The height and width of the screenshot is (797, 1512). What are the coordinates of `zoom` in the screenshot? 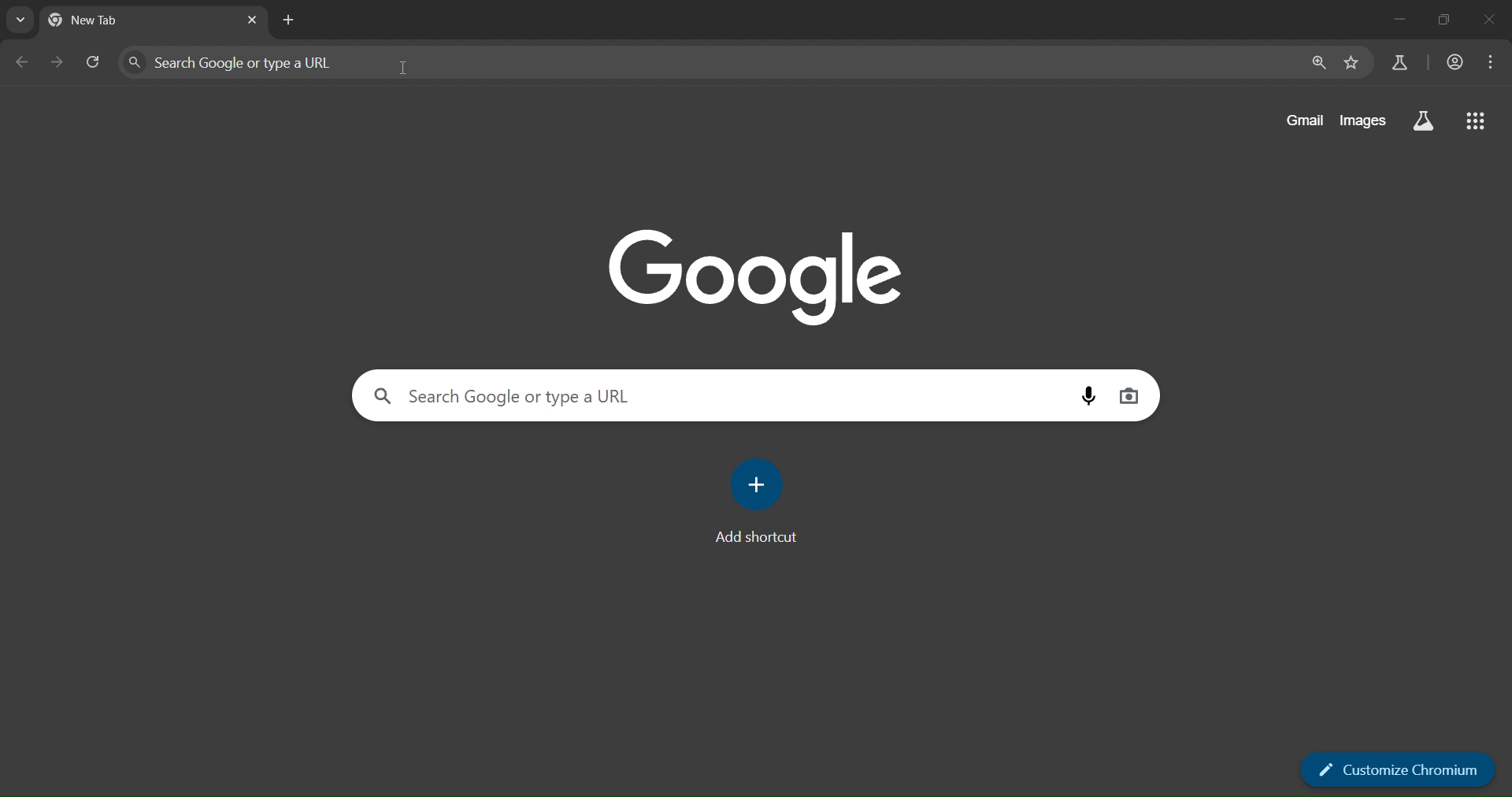 It's located at (1320, 64).